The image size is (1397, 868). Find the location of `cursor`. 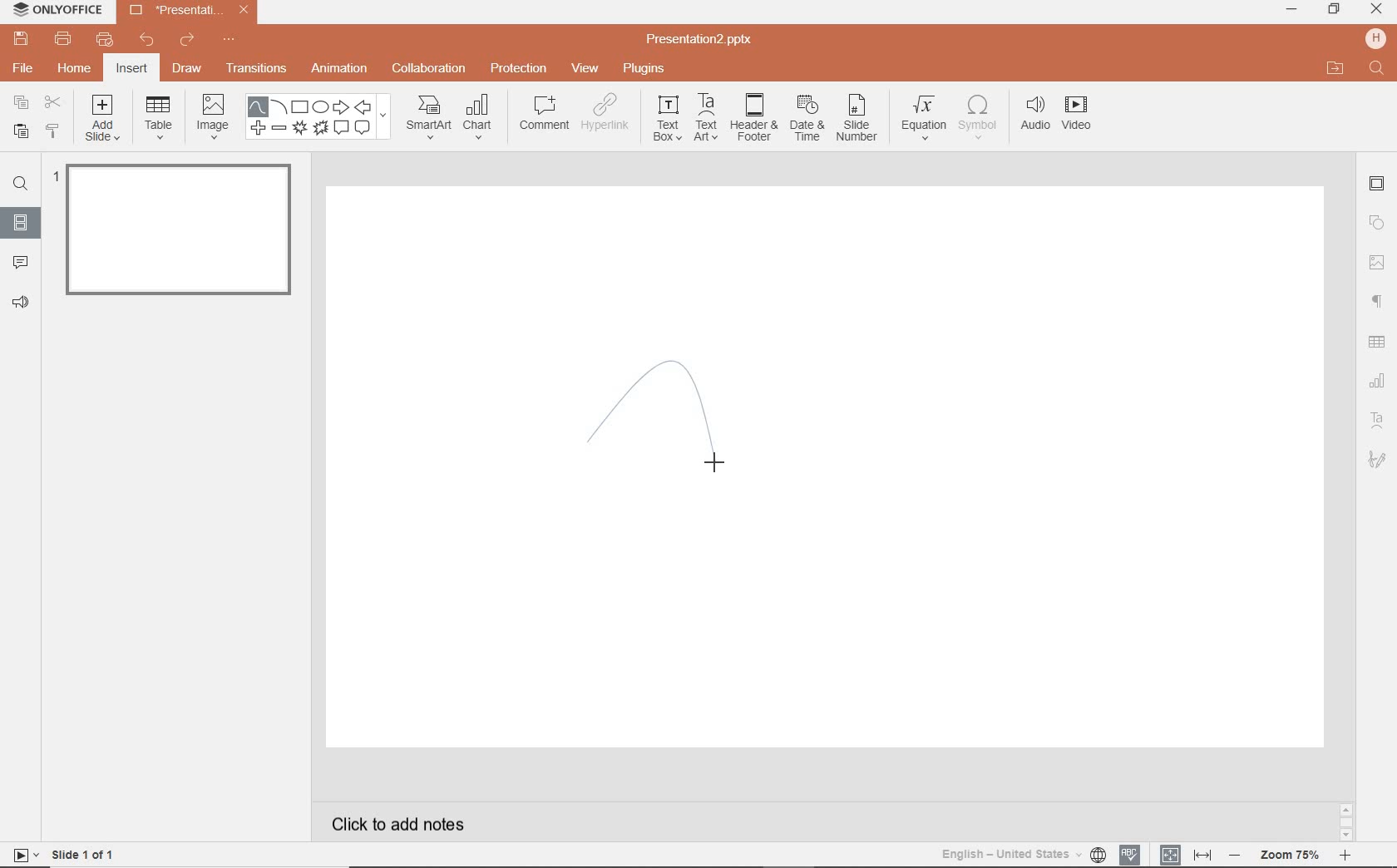

cursor is located at coordinates (718, 459).